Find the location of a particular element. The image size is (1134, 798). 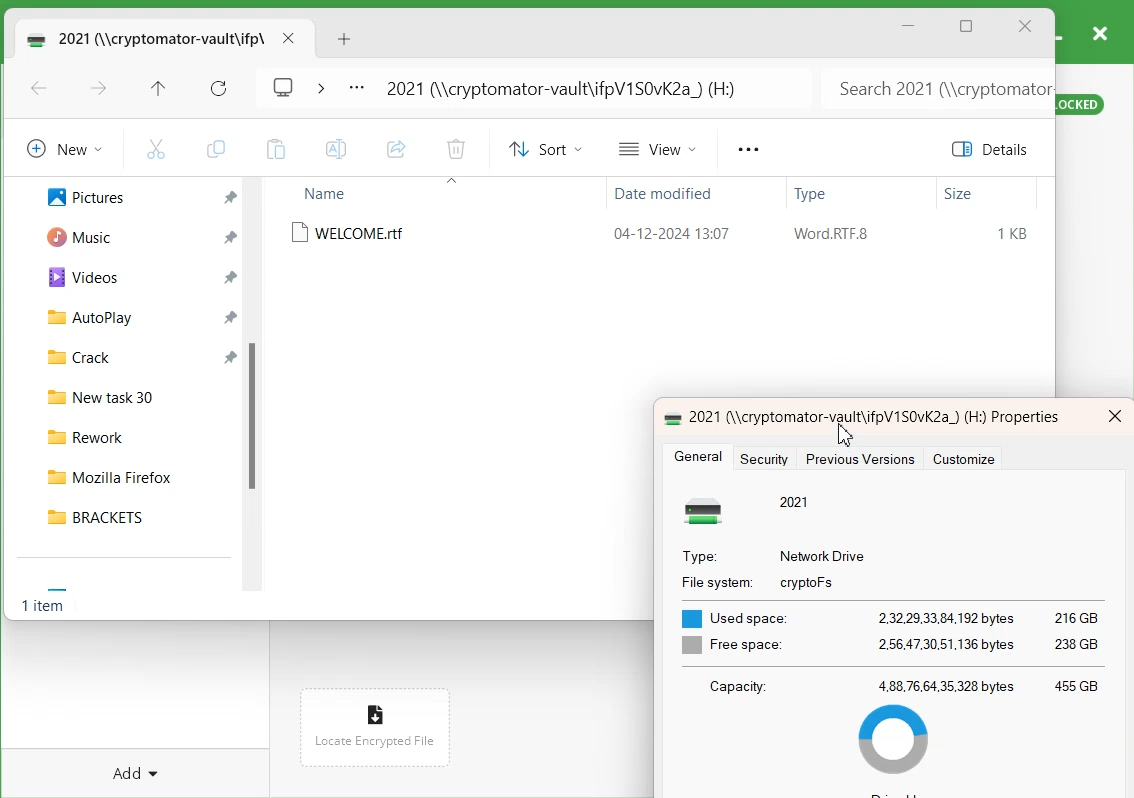

Pin a file is located at coordinates (232, 277).